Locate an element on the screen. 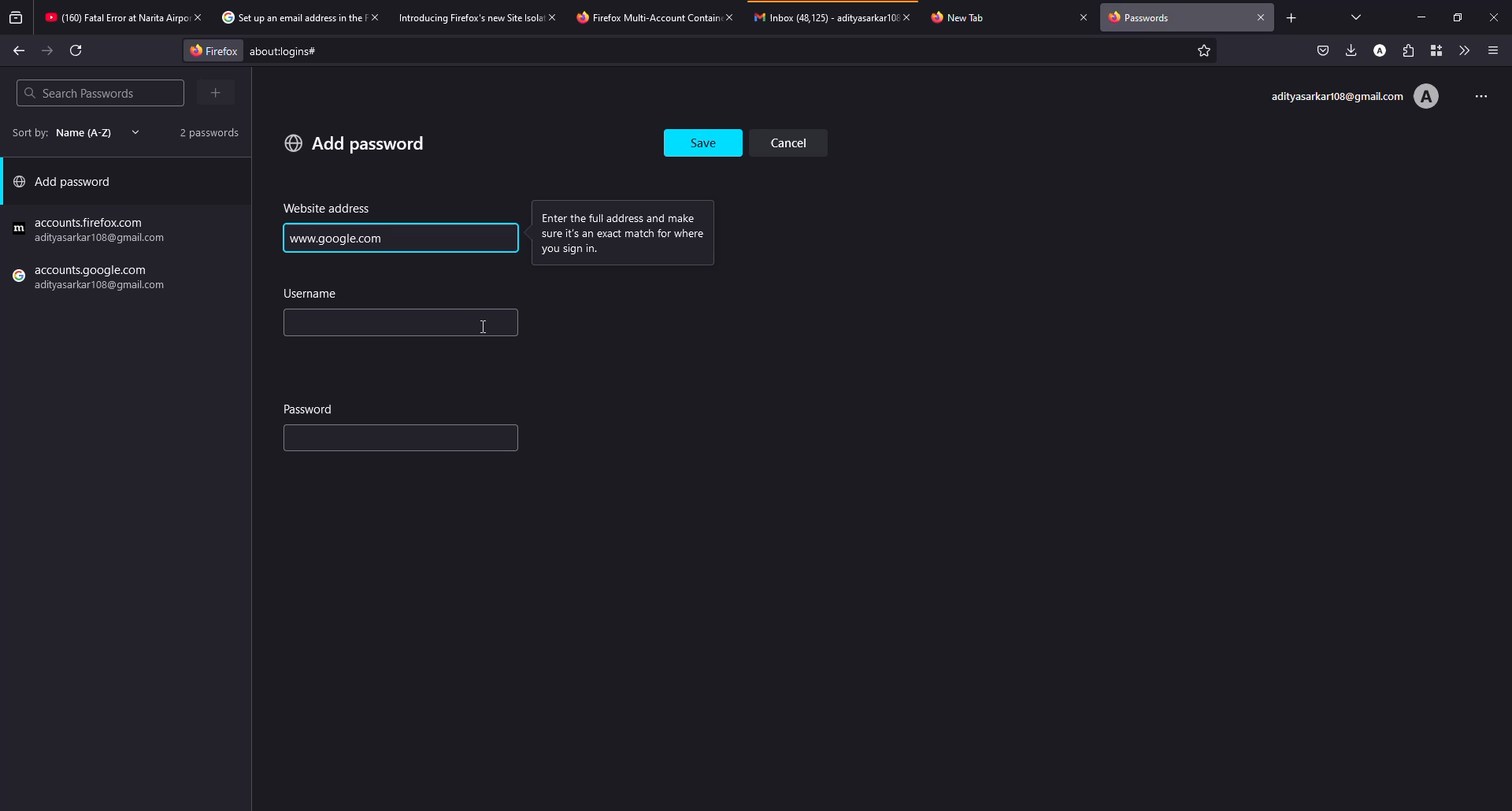 The width and height of the screenshot is (1512, 811). forward is located at coordinates (48, 51).